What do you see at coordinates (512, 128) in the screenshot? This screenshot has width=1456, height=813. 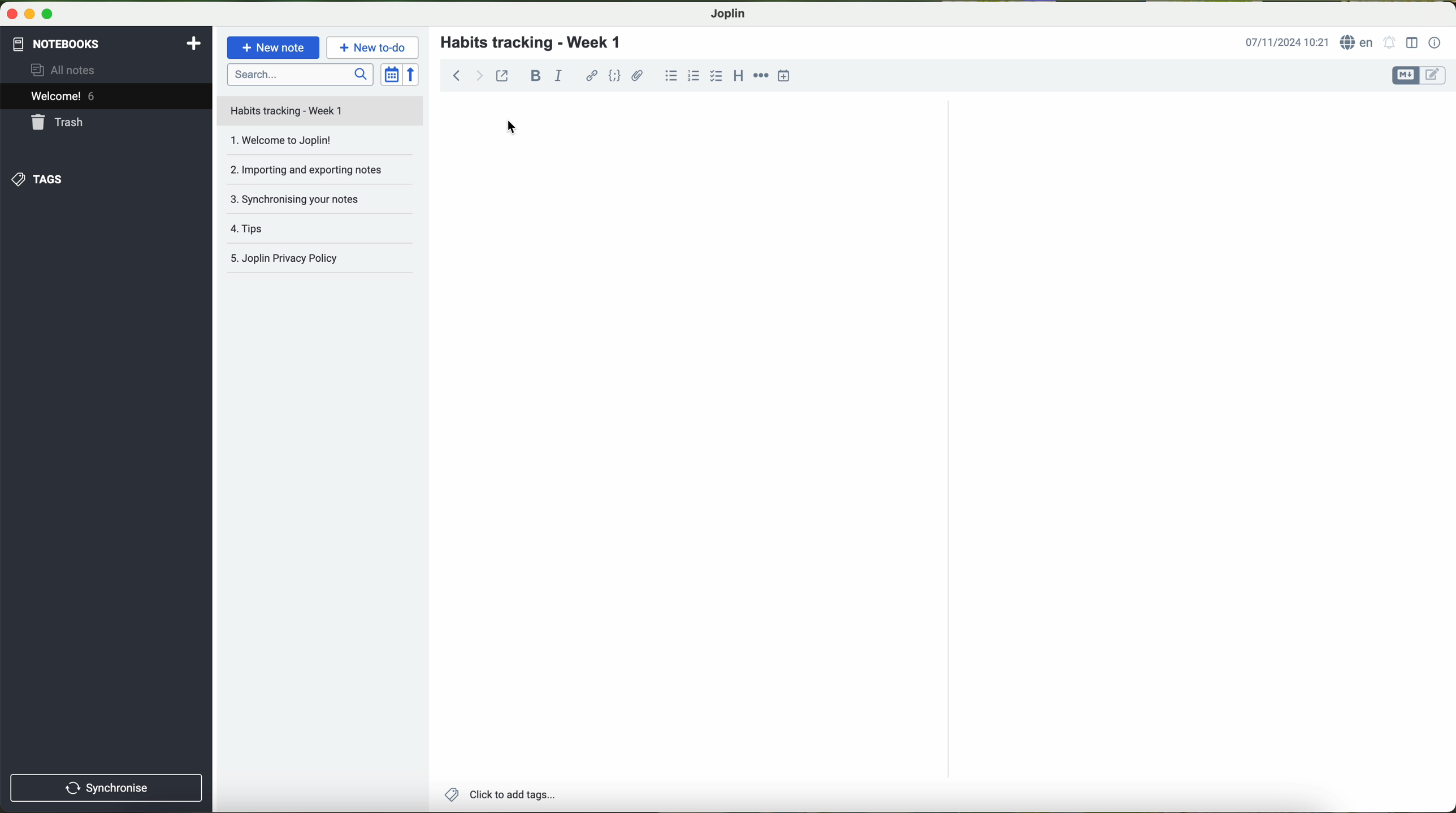 I see `cursor` at bounding box center [512, 128].